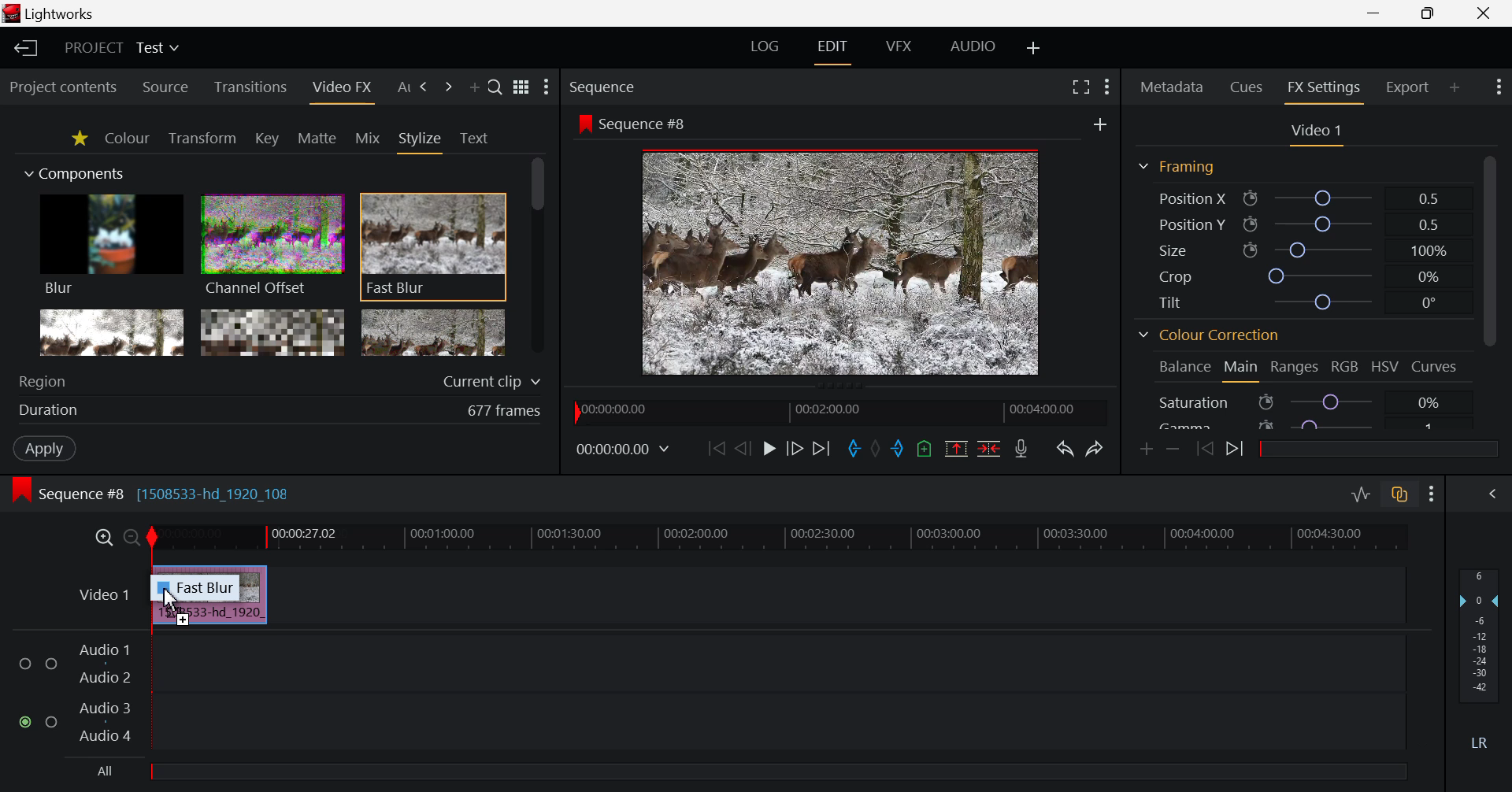 The image size is (1512, 792). What do you see at coordinates (1240, 371) in the screenshot?
I see `Main Tab Open` at bounding box center [1240, 371].